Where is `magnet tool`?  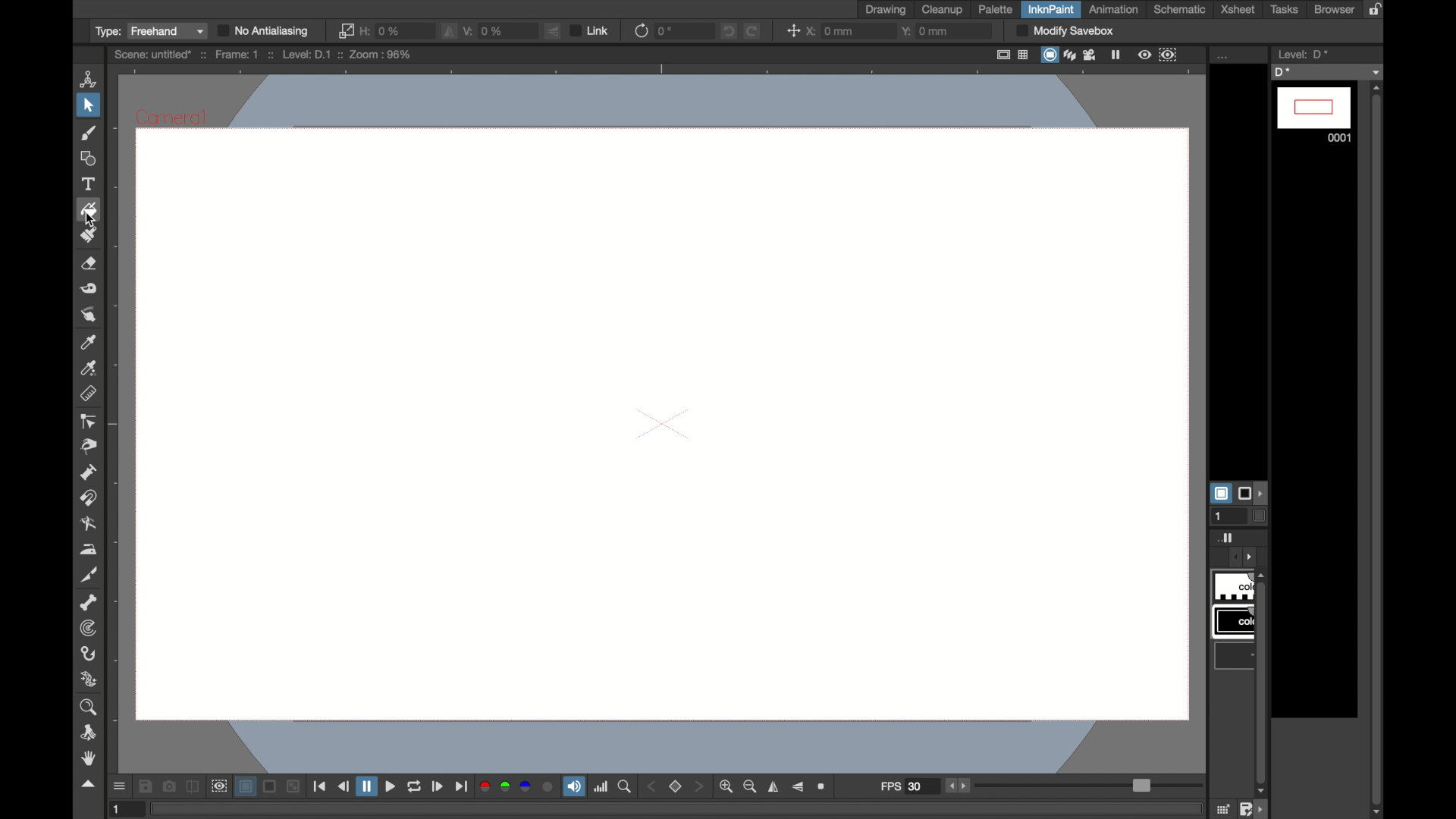
magnet tool is located at coordinates (87, 498).